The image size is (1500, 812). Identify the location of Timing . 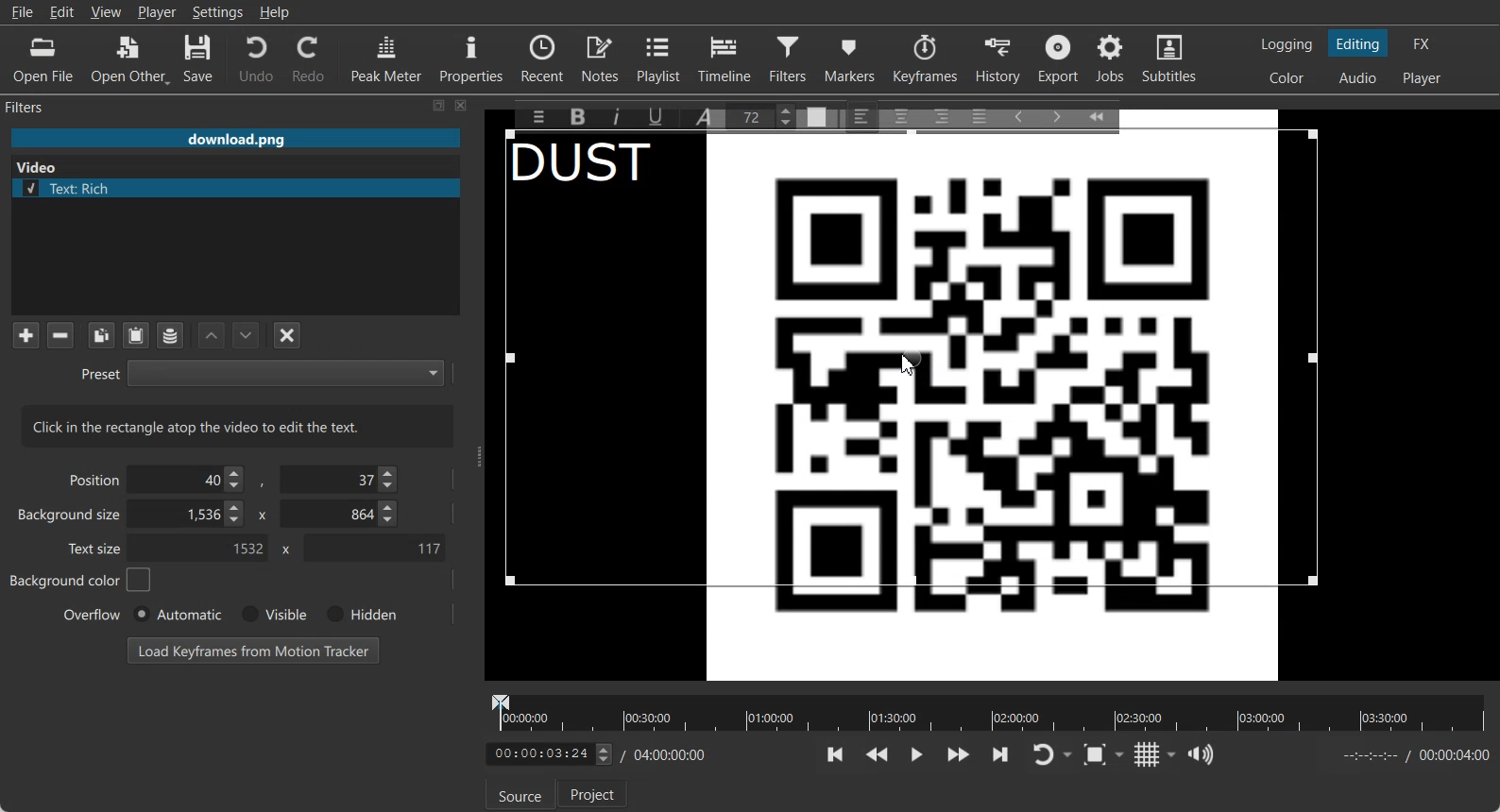
(669, 754).